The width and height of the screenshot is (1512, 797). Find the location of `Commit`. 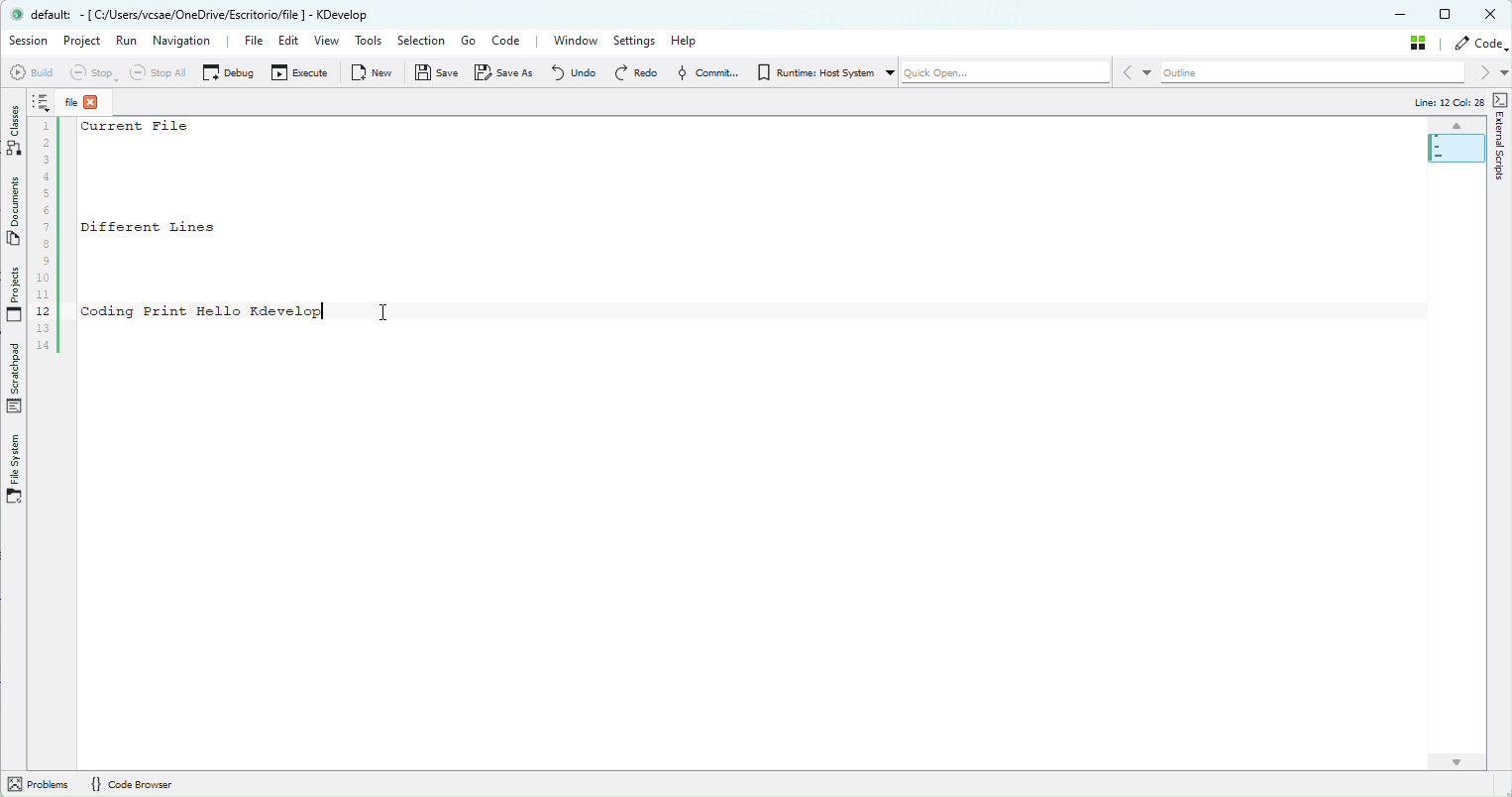

Commit is located at coordinates (707, 73).